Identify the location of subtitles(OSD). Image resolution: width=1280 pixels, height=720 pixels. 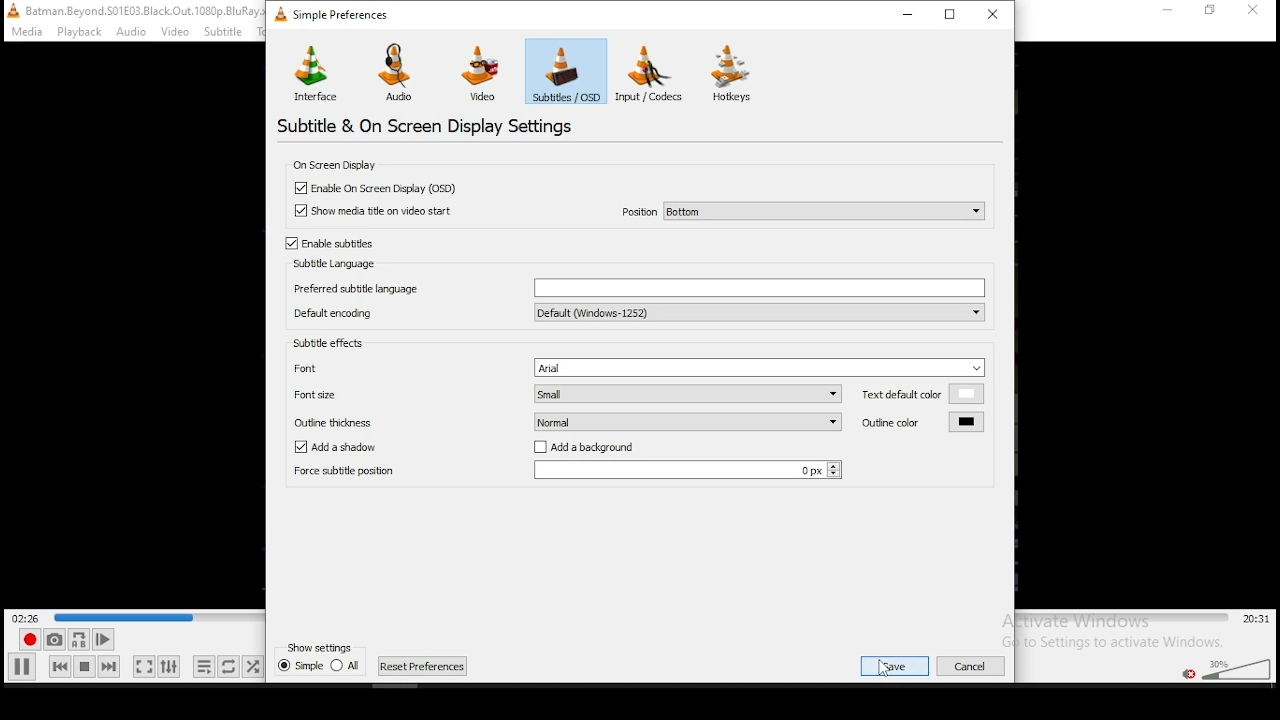
(566, 70).